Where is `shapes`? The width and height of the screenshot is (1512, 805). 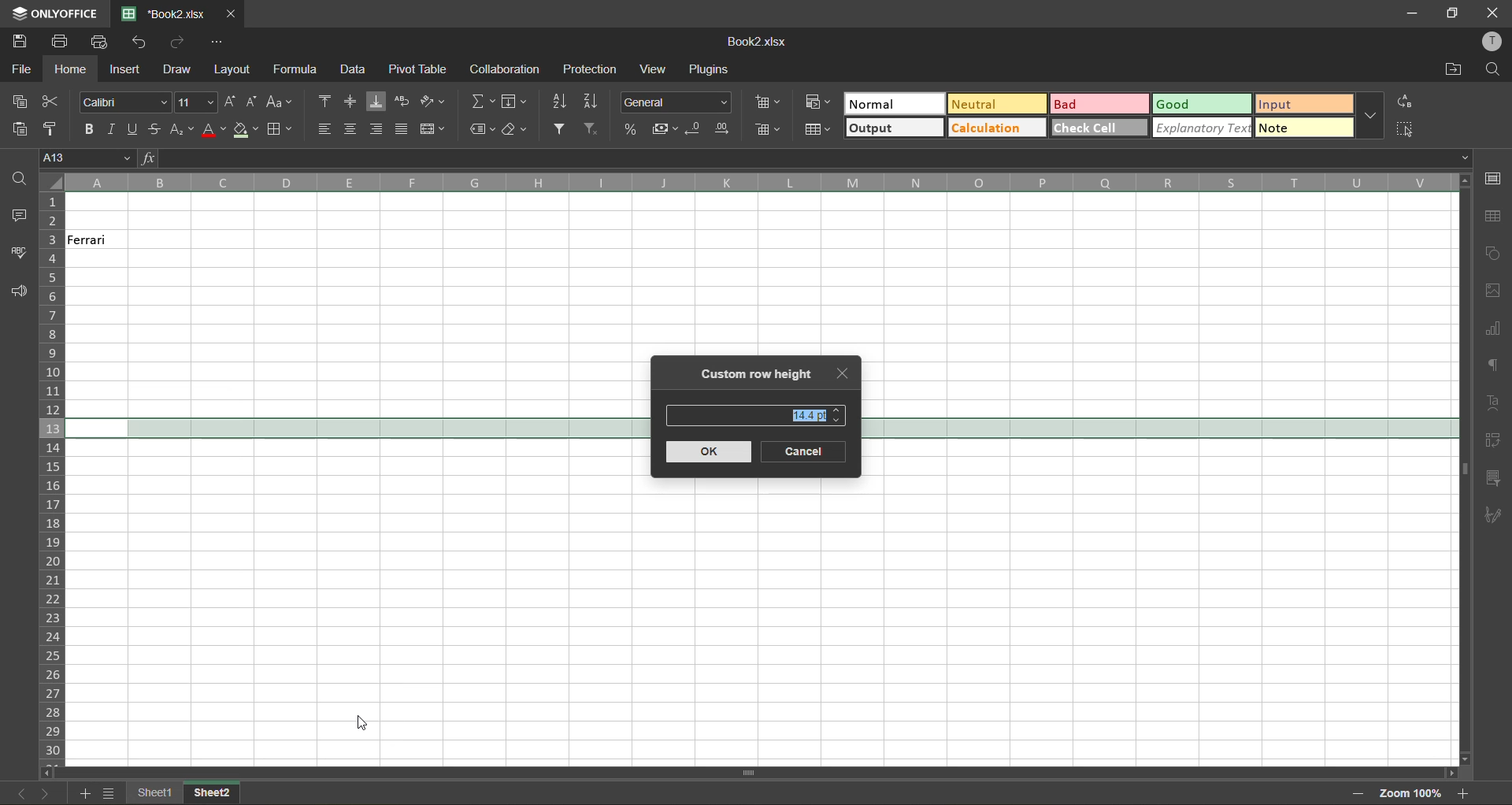 shapes is located at coordinates (1493, 254).